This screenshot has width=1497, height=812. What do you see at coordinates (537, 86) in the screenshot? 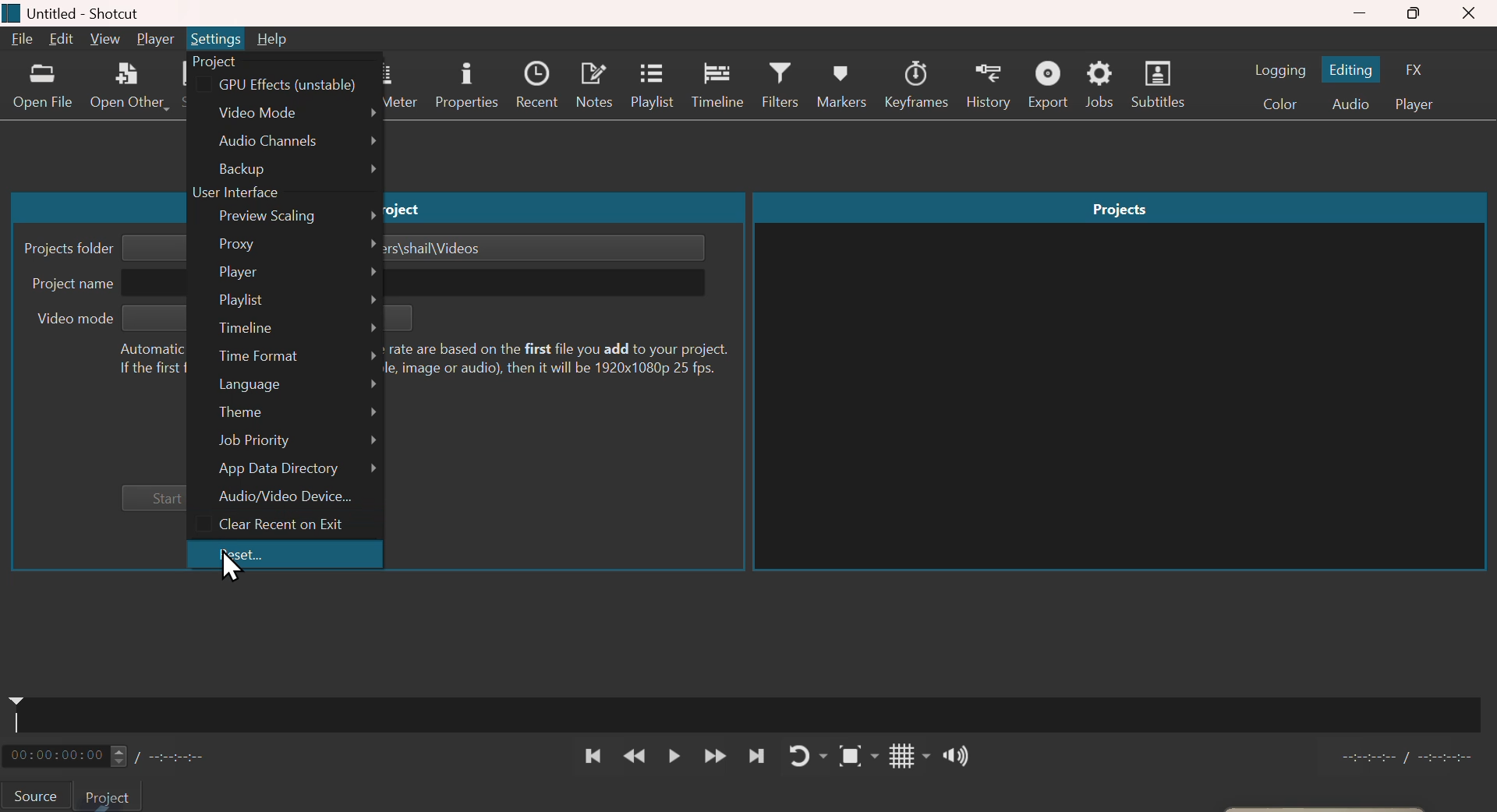
I see `Recent` at bounding box center [537, 86].